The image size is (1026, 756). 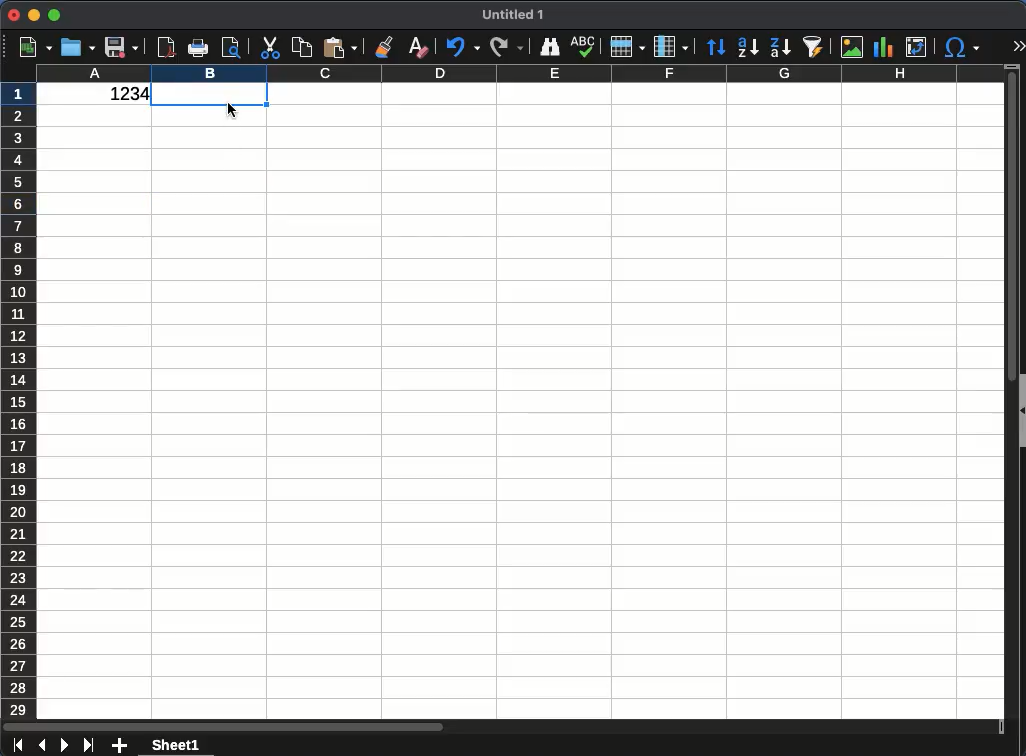 What do you see at coordinates (669, 47) in the screenshot?
I see `column` at bounding box center [669, 47].